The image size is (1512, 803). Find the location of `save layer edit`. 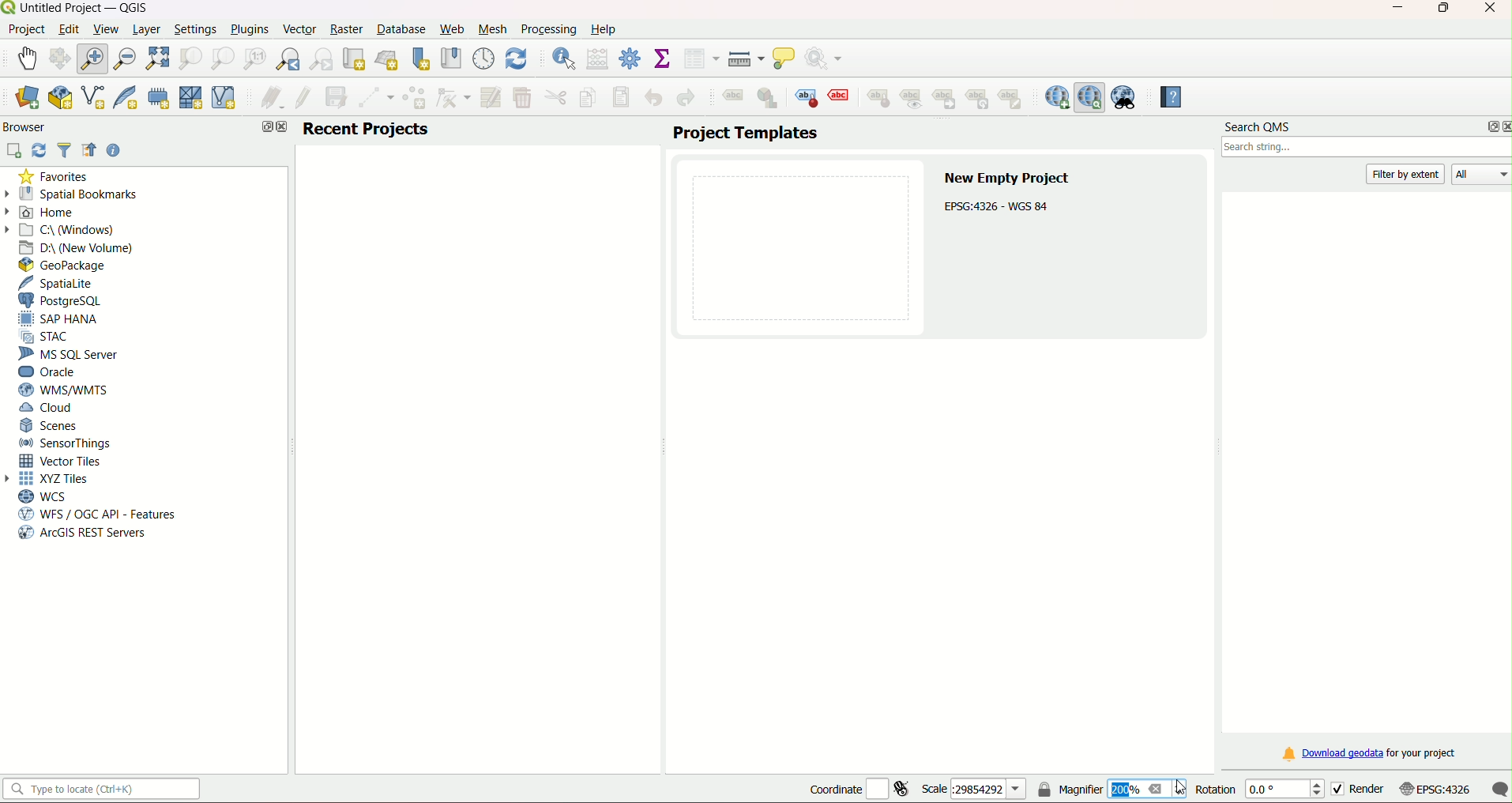

save layer edit is located at coordinates (337, 97).